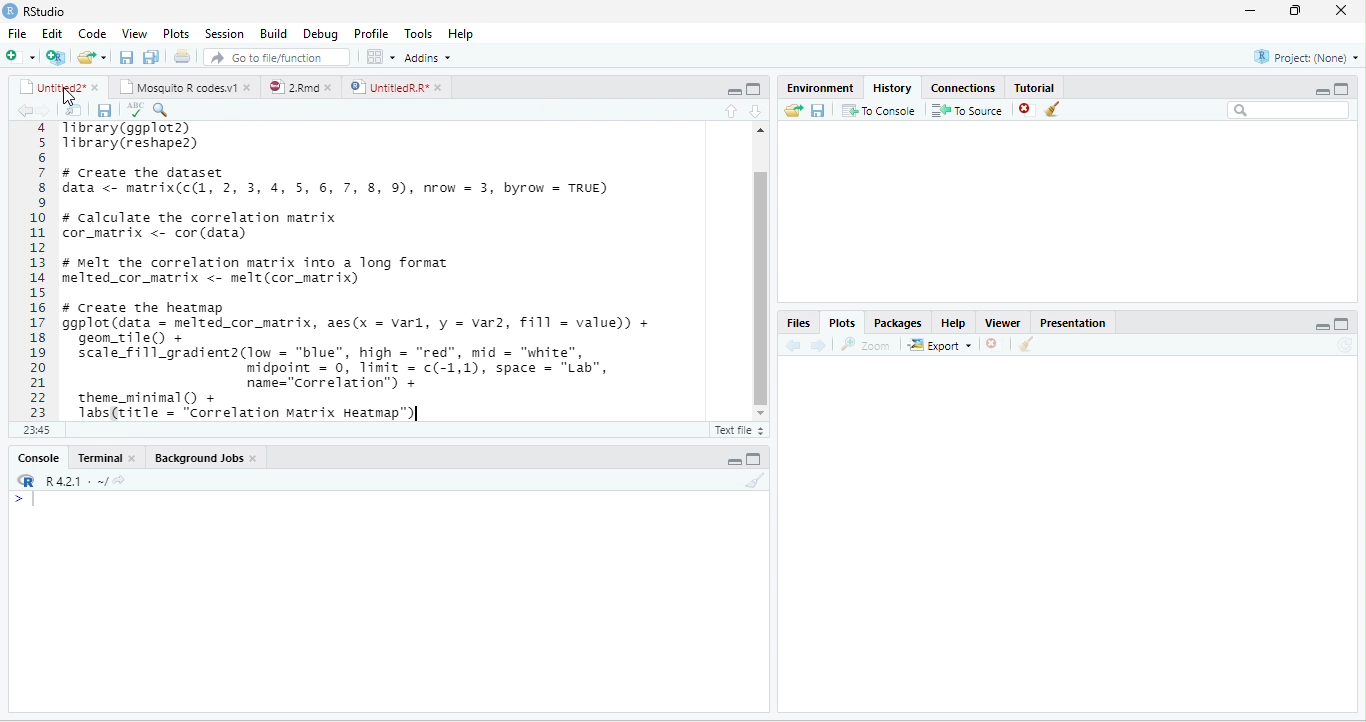 The image size is (1366, 722). What do you see at coordinates (153, 55) in the screenshot?
I see `` at bounding box center [153, 55].